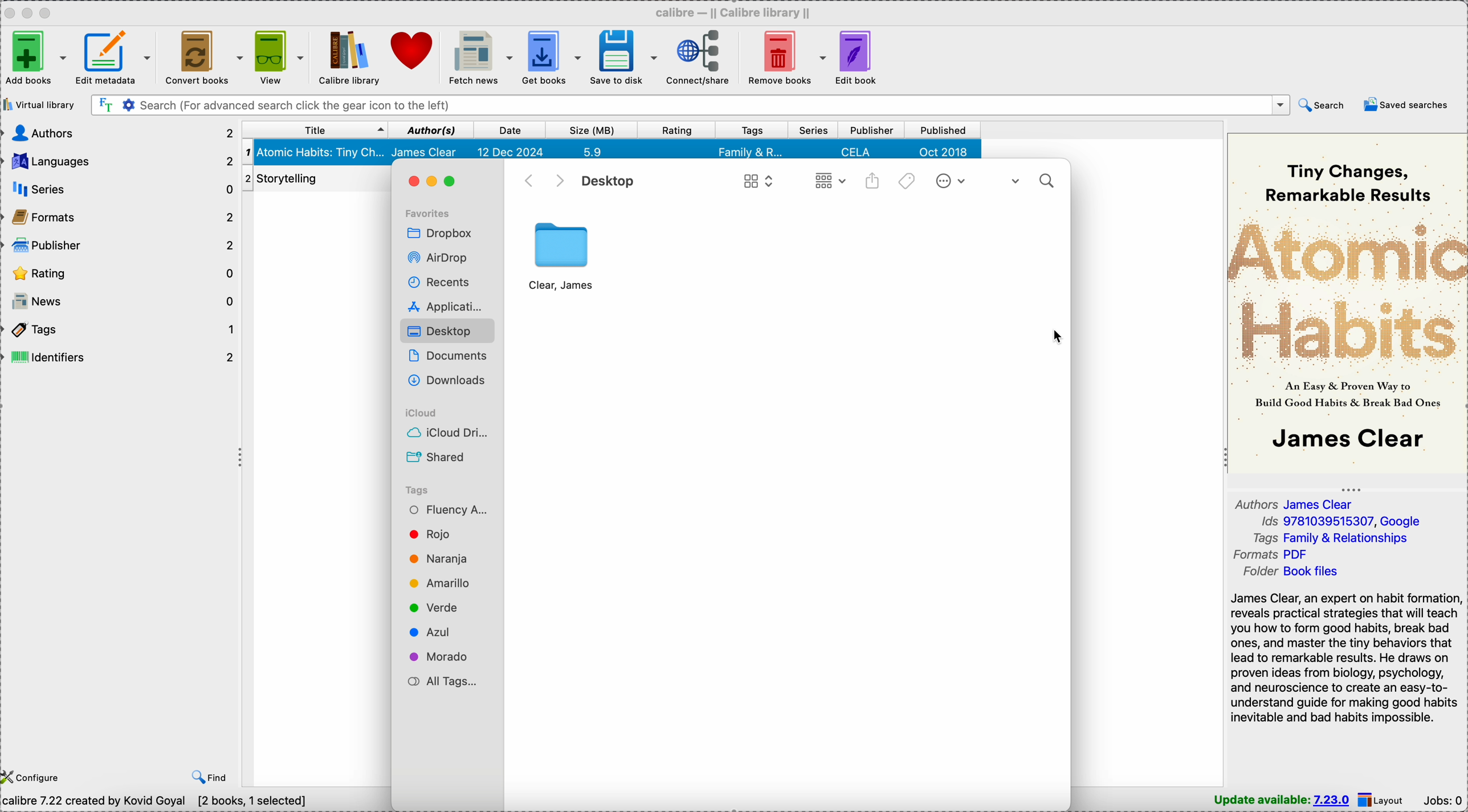  I want to click on search, so click(1033, 181).